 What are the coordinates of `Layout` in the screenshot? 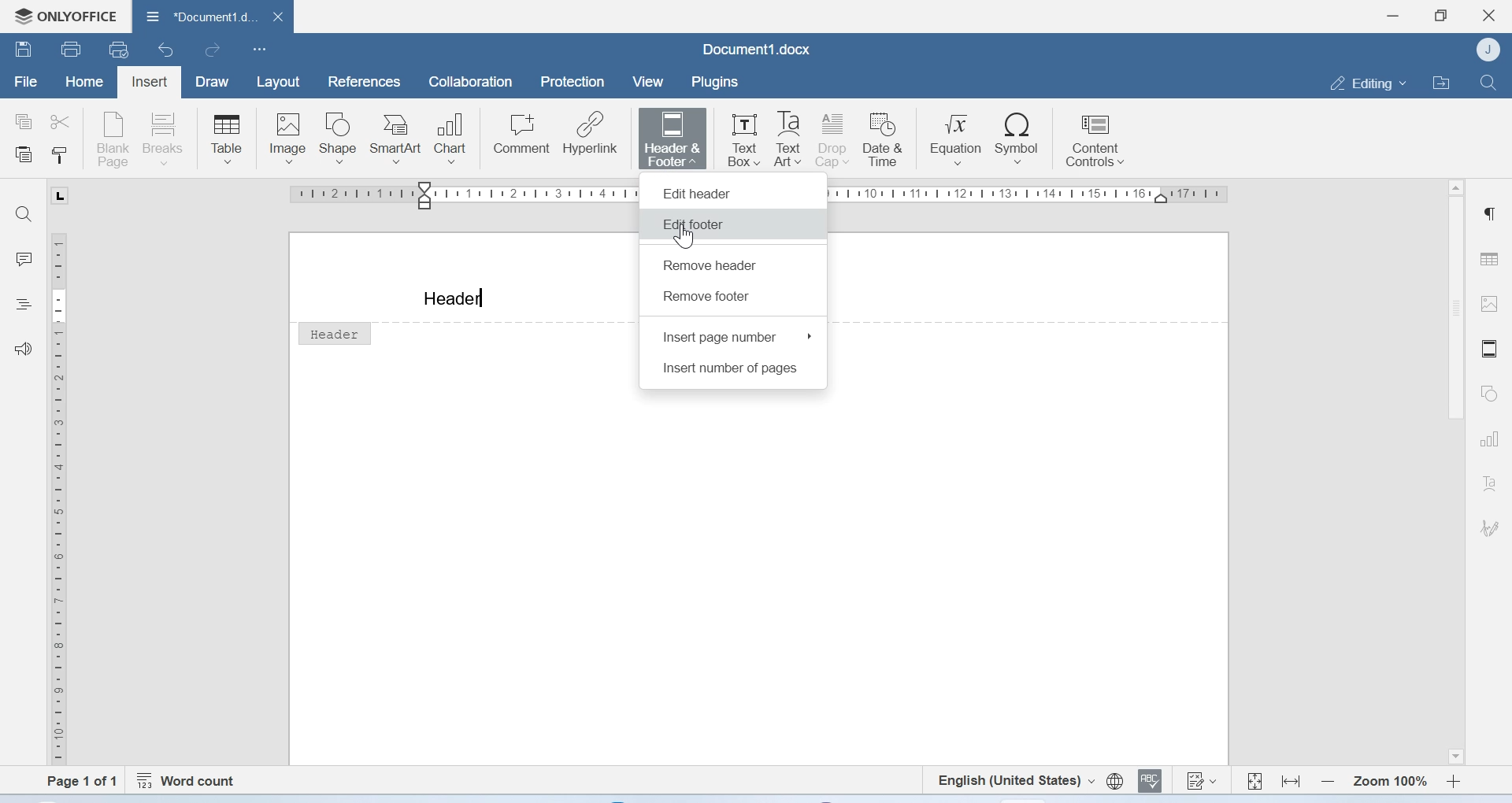 It's located at (279, 82).